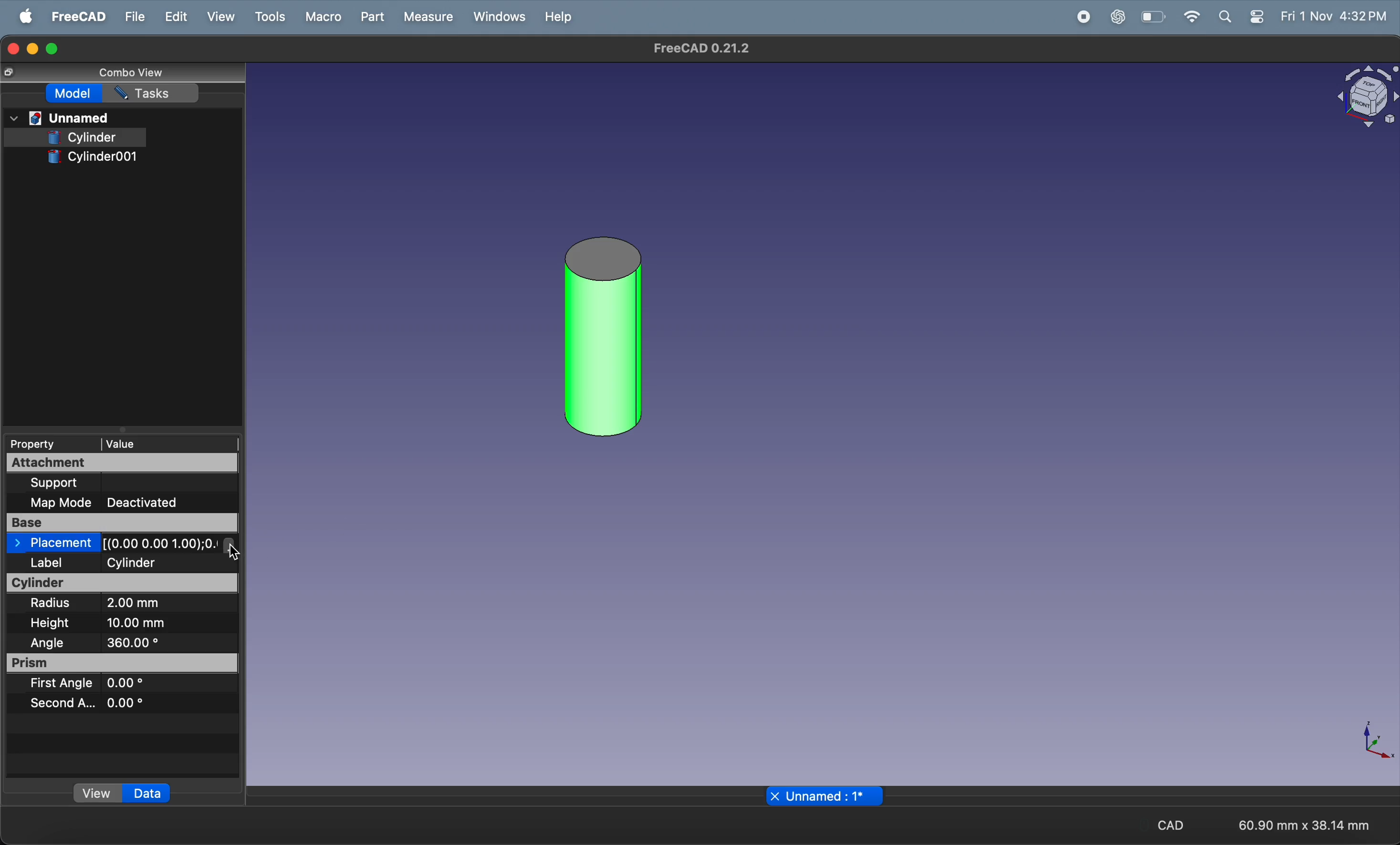  Describe the element at coordinates (153, 605) in the screenshot. I see `2.00 mm` at that location.